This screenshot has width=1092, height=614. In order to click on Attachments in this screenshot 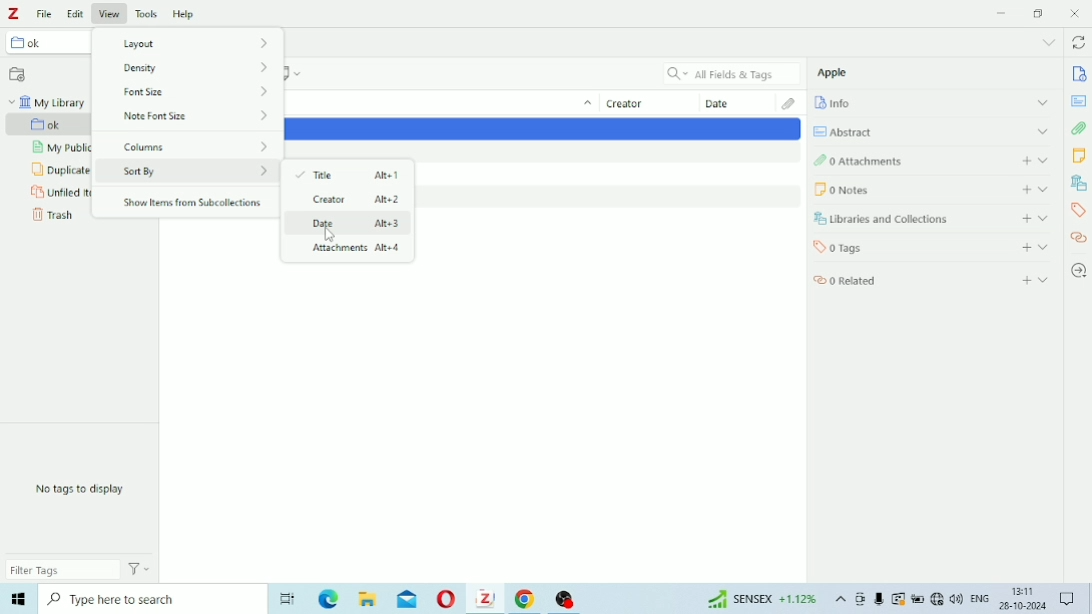, I will do `click(1080, 129)`.